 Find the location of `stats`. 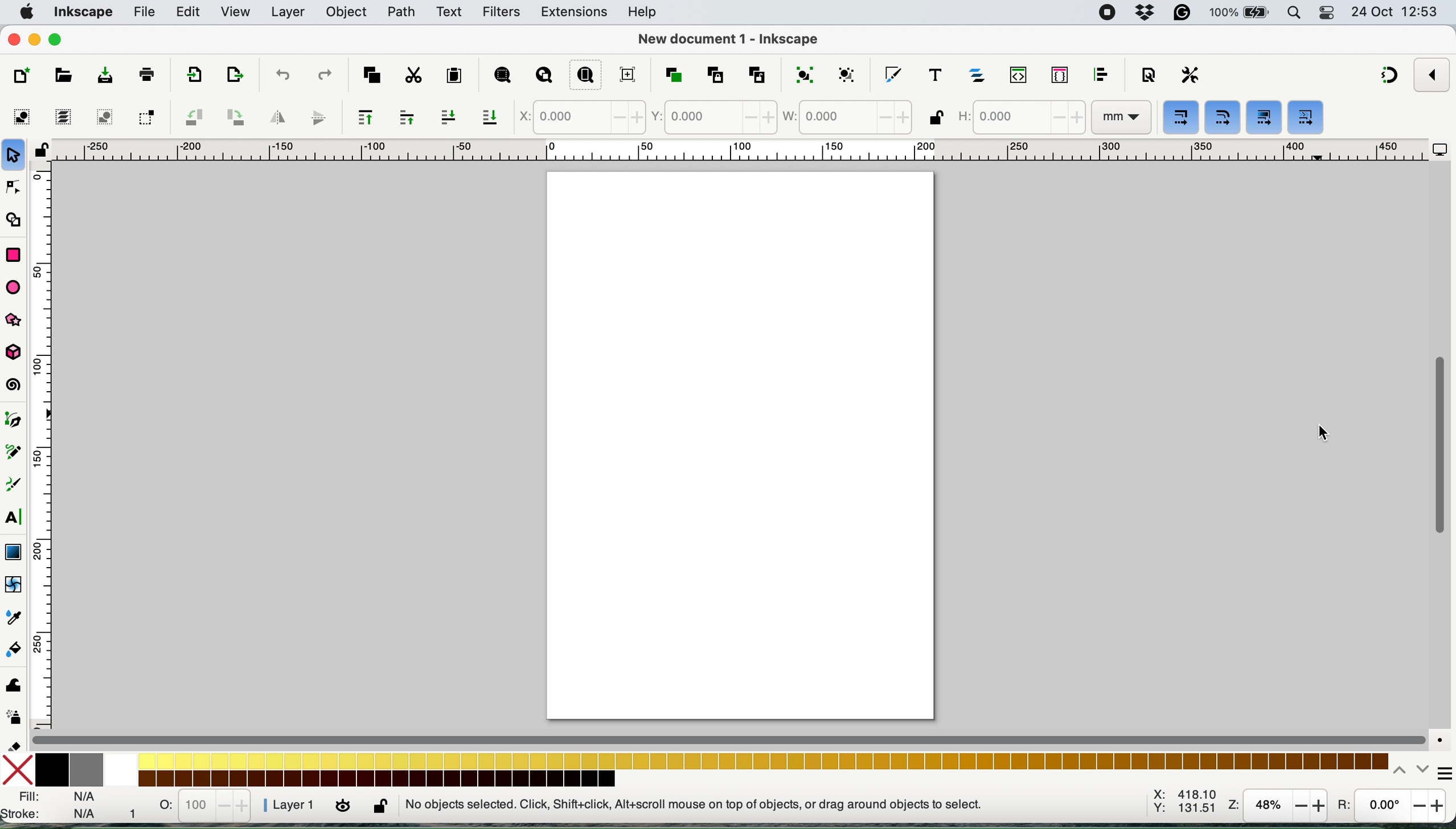

stats is located at coordinates (206, 806).